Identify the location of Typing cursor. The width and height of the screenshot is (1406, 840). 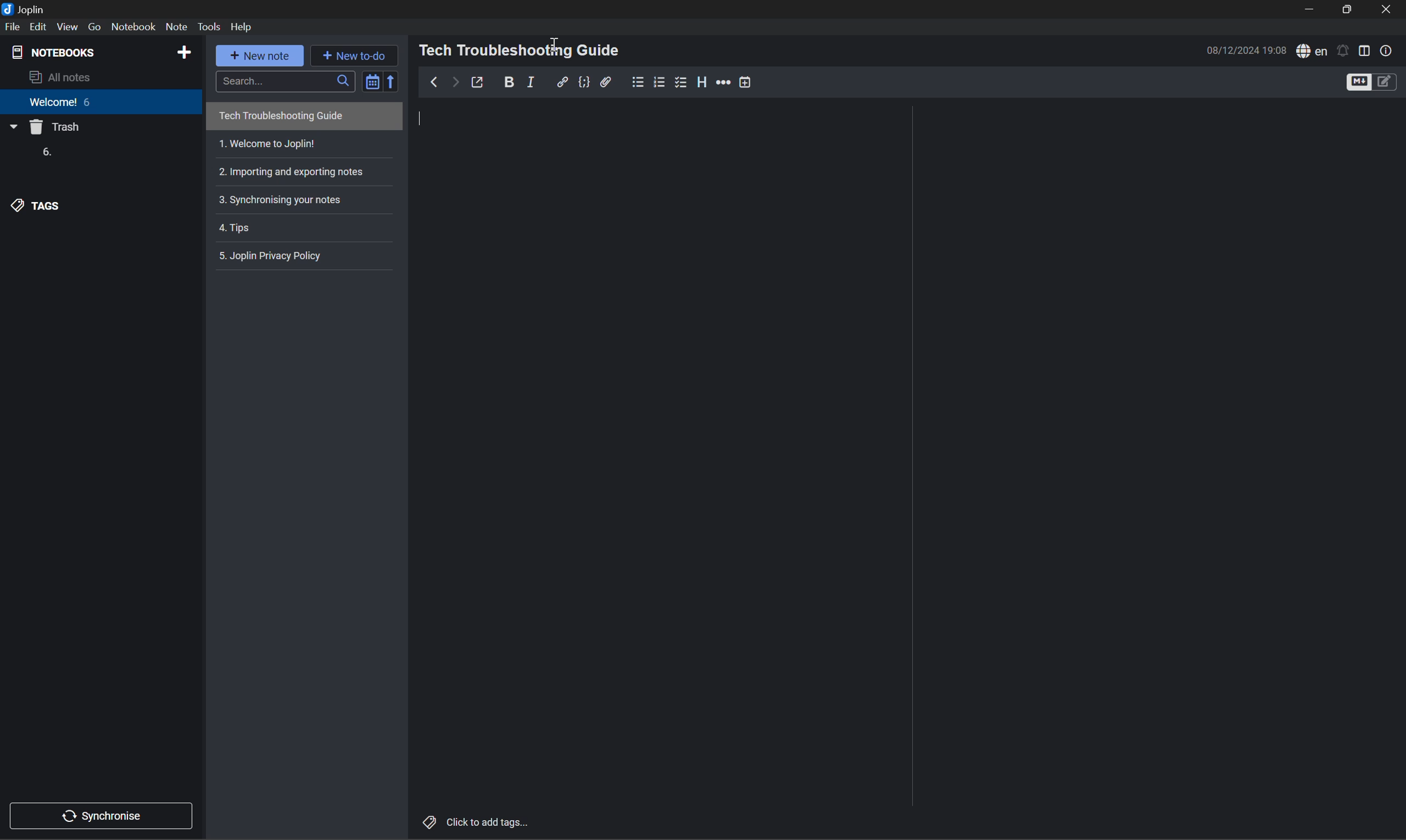
(419, 117).